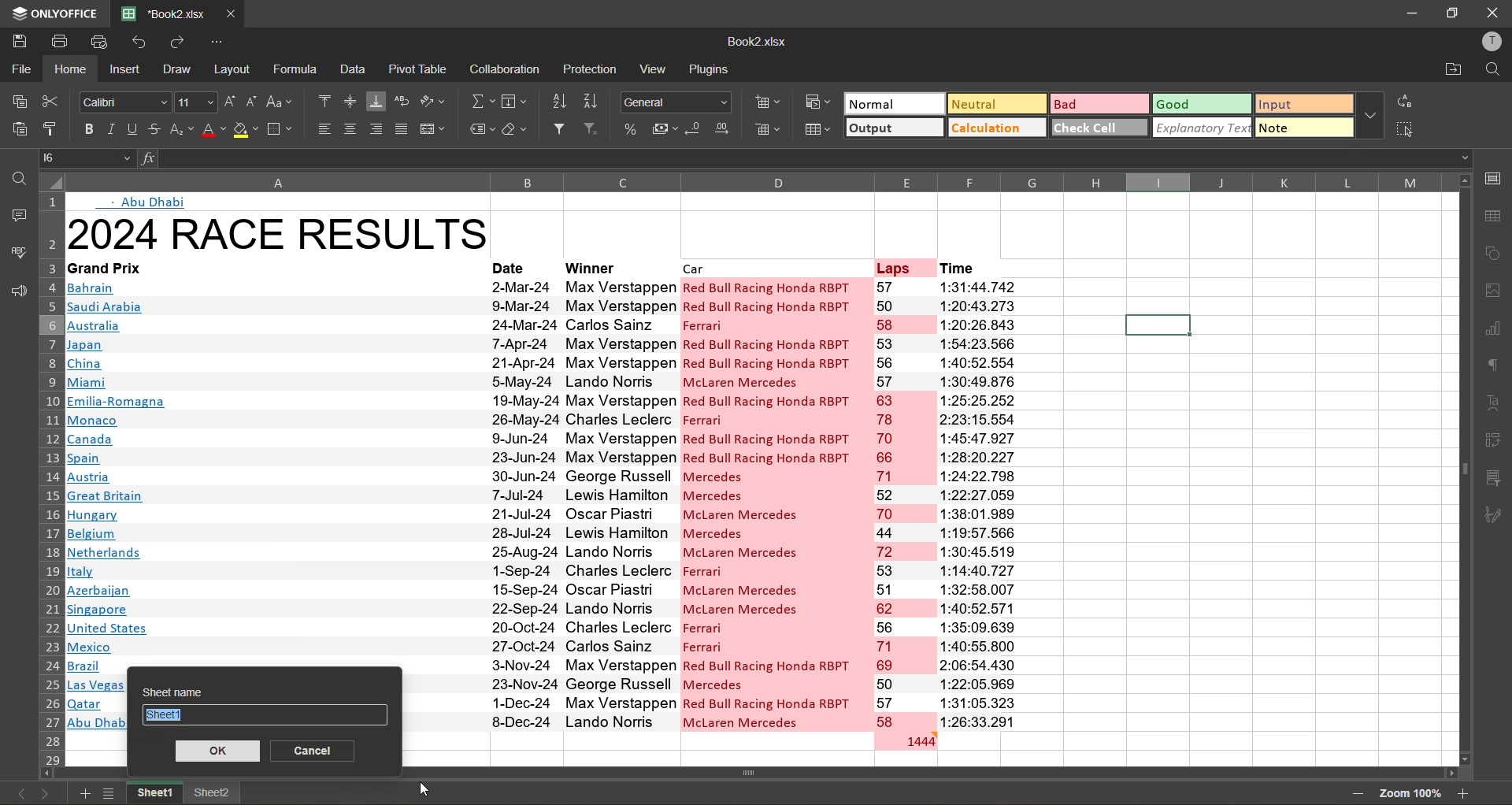  I want to click on sheet list, so click(109, 792).